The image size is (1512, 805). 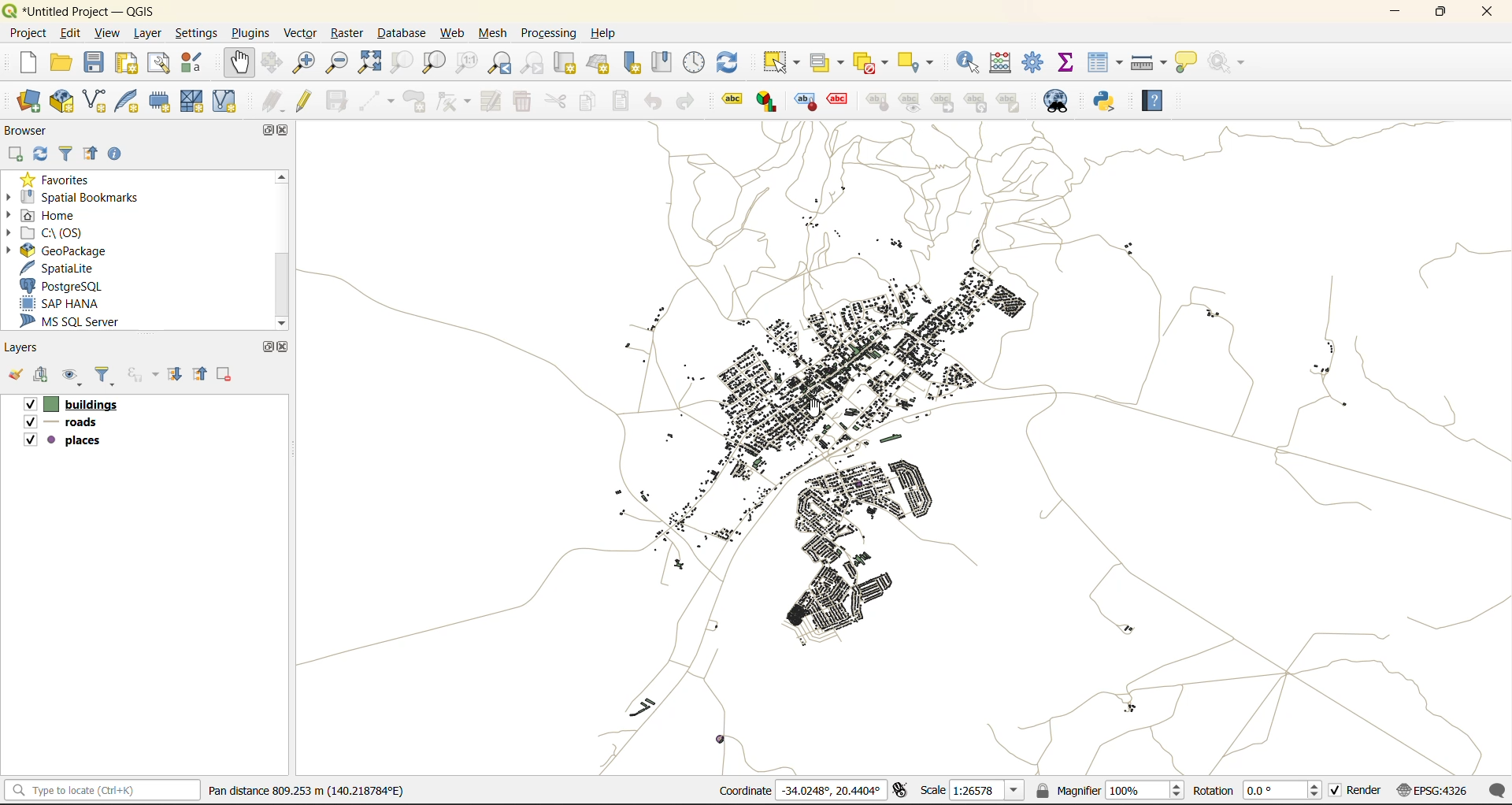 What do you see at coordinates (969, 65) in the screenshot?
I see `identify features` at bounding box center [969, 65].